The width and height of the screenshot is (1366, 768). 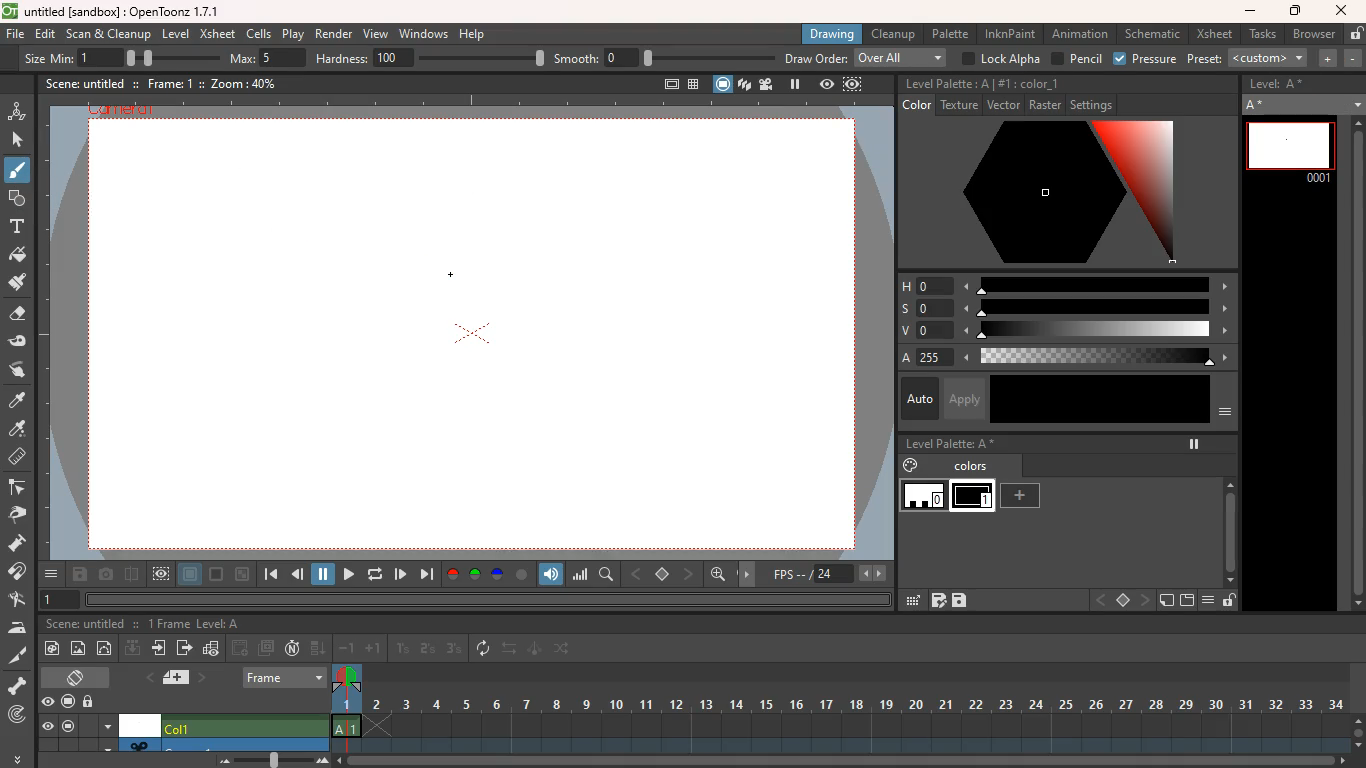 What do you see at coordinates (49, 703) in the screenshot?
I see `eye` at bounding box center [49, 703].